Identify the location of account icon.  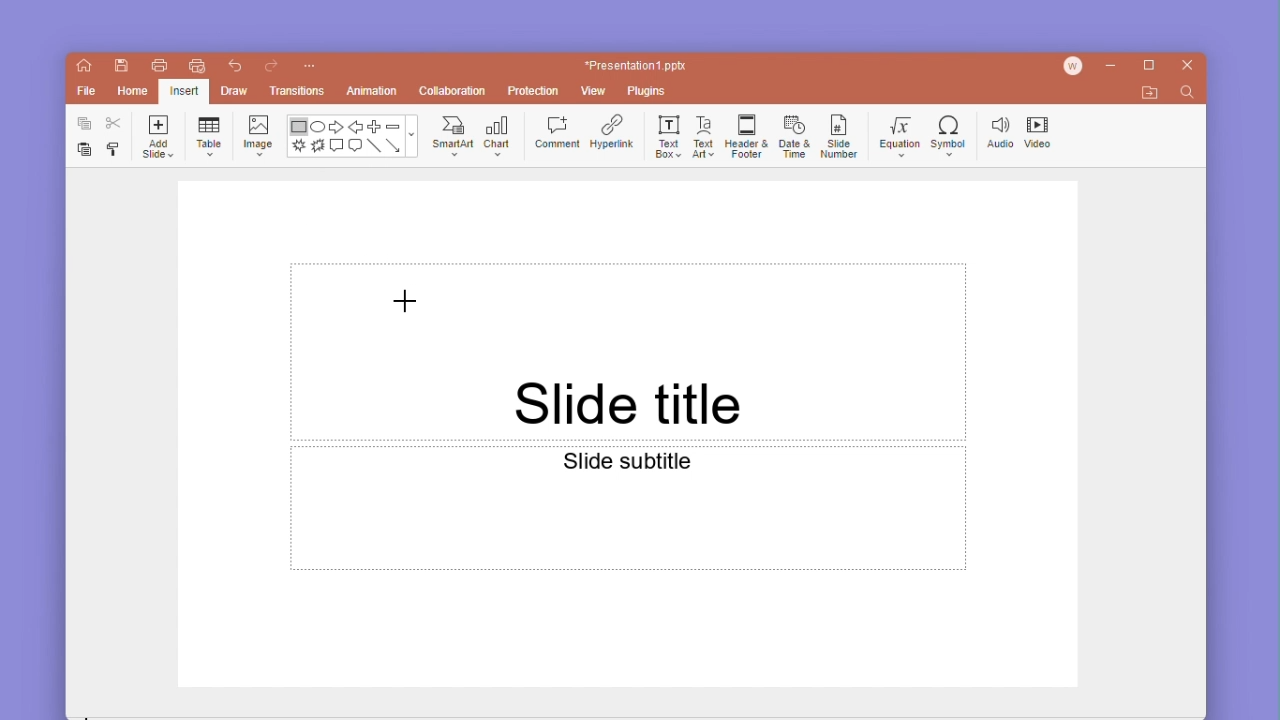
(1075, 67).